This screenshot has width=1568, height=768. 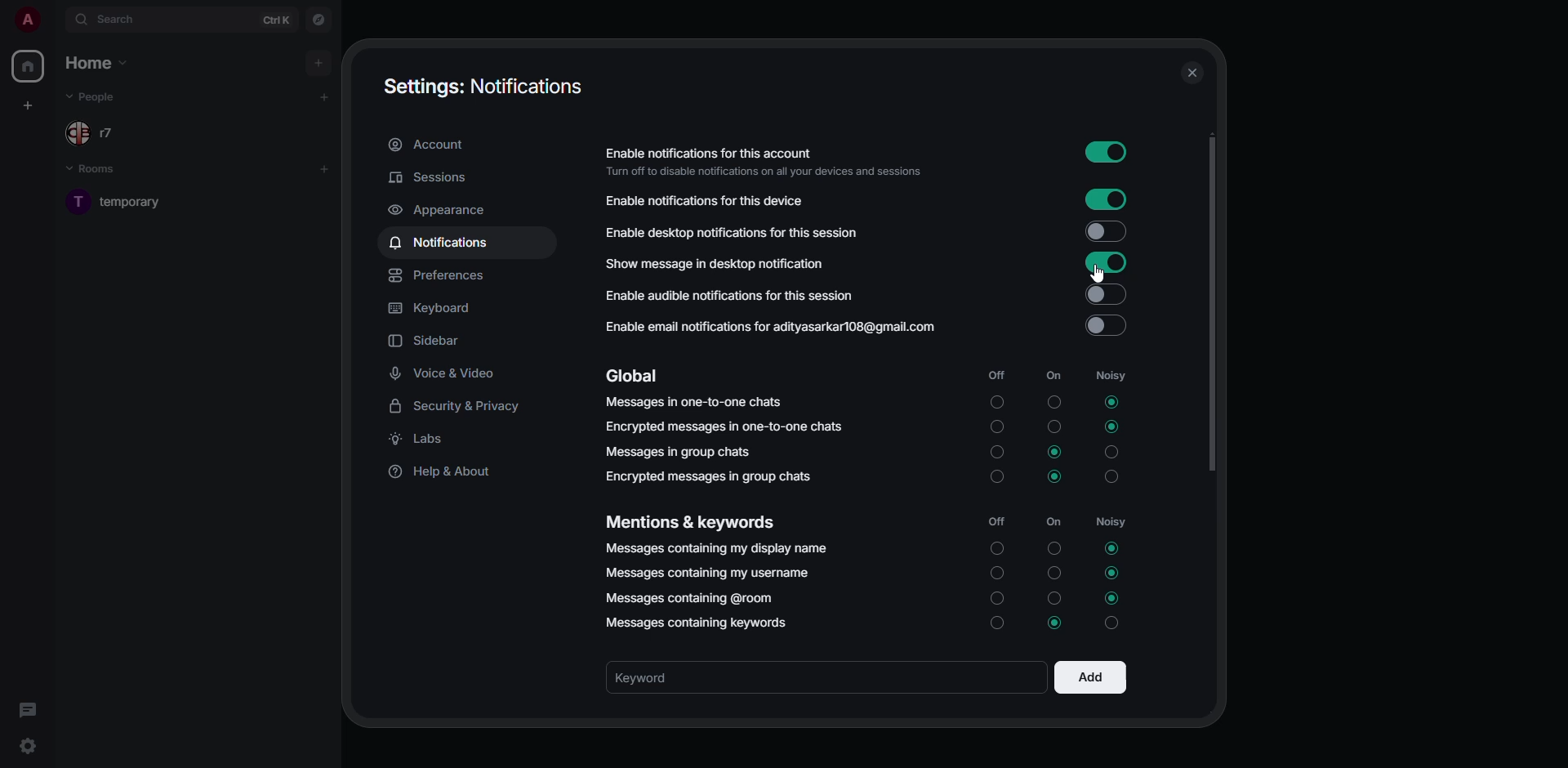 I want to click on noisy, so click(x=1111, y=451).